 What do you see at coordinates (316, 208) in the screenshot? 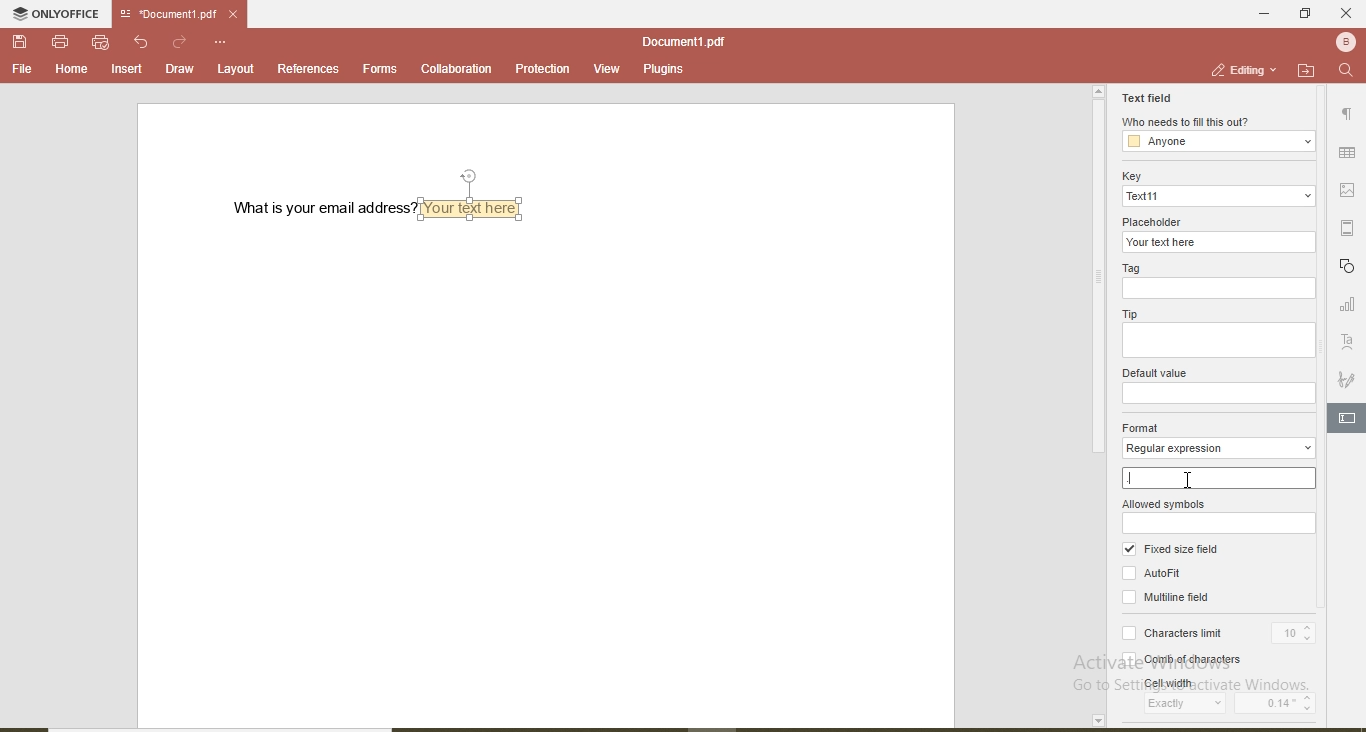
I see `what is your email address?` at bounding box center [316, 208].